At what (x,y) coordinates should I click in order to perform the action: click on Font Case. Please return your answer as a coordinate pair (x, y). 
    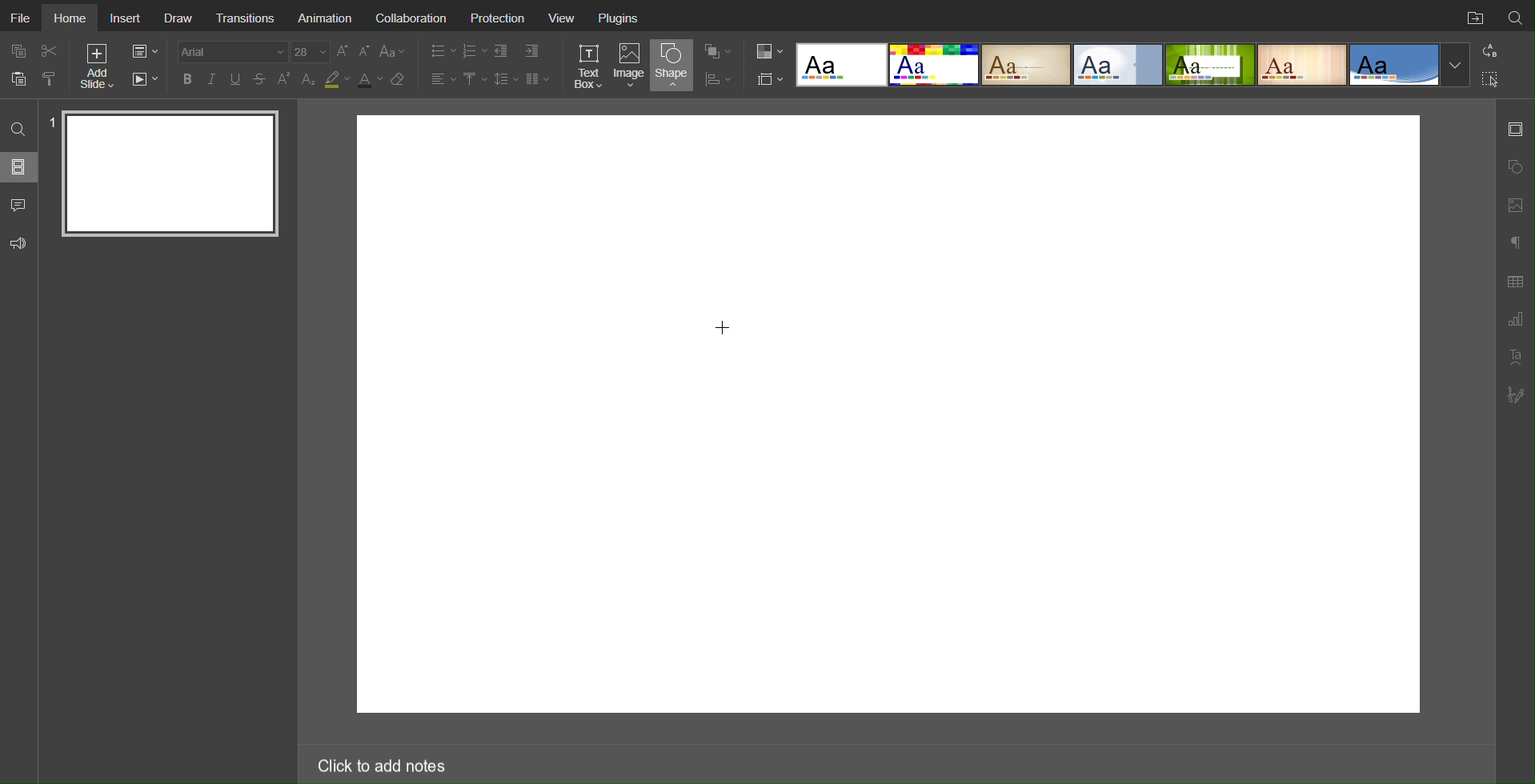
    Looking at the image, I should click on (394, 51).